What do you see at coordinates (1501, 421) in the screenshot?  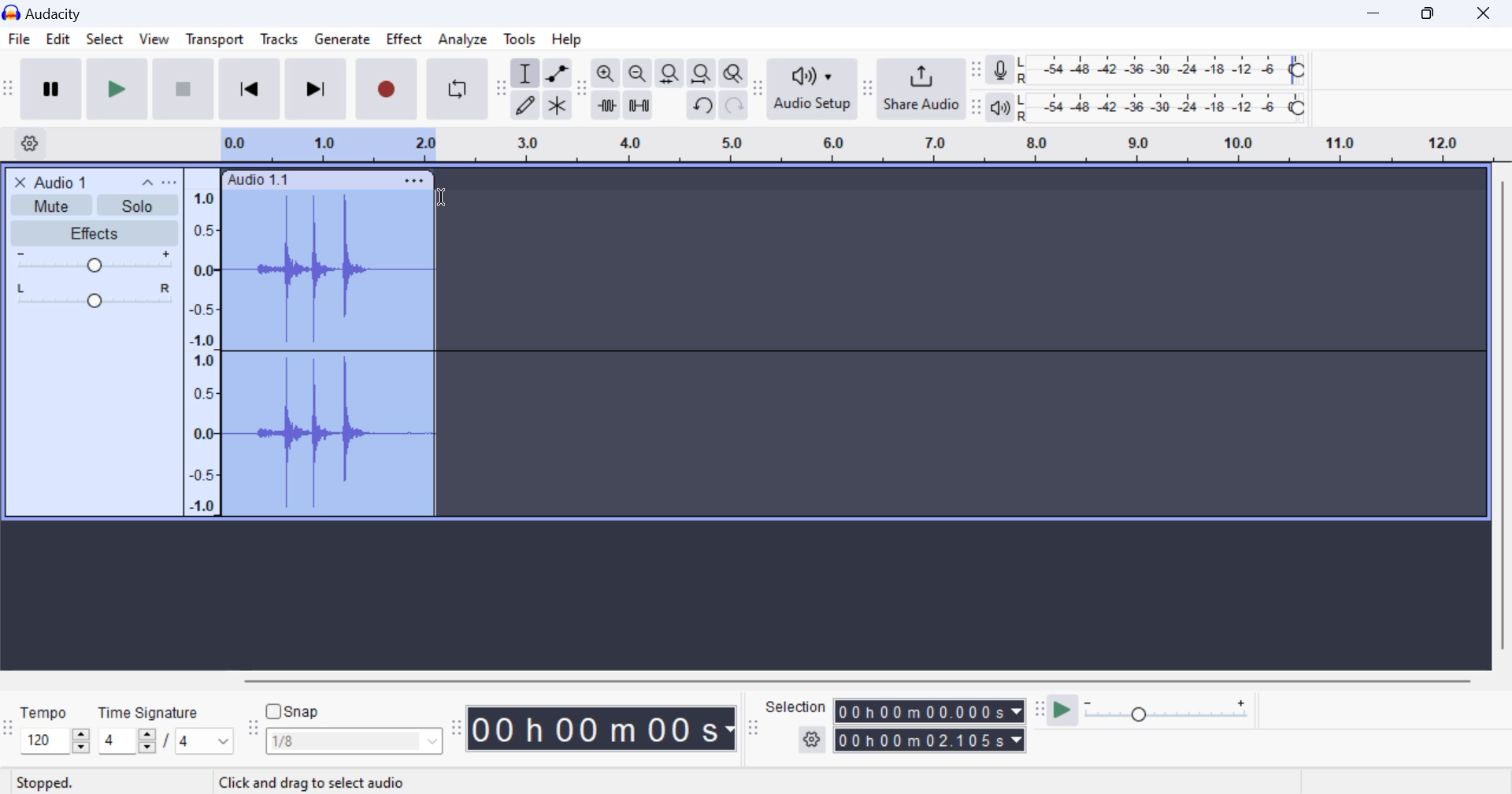 I see `vertical scrollbar` at bounding box center [1501, 421].